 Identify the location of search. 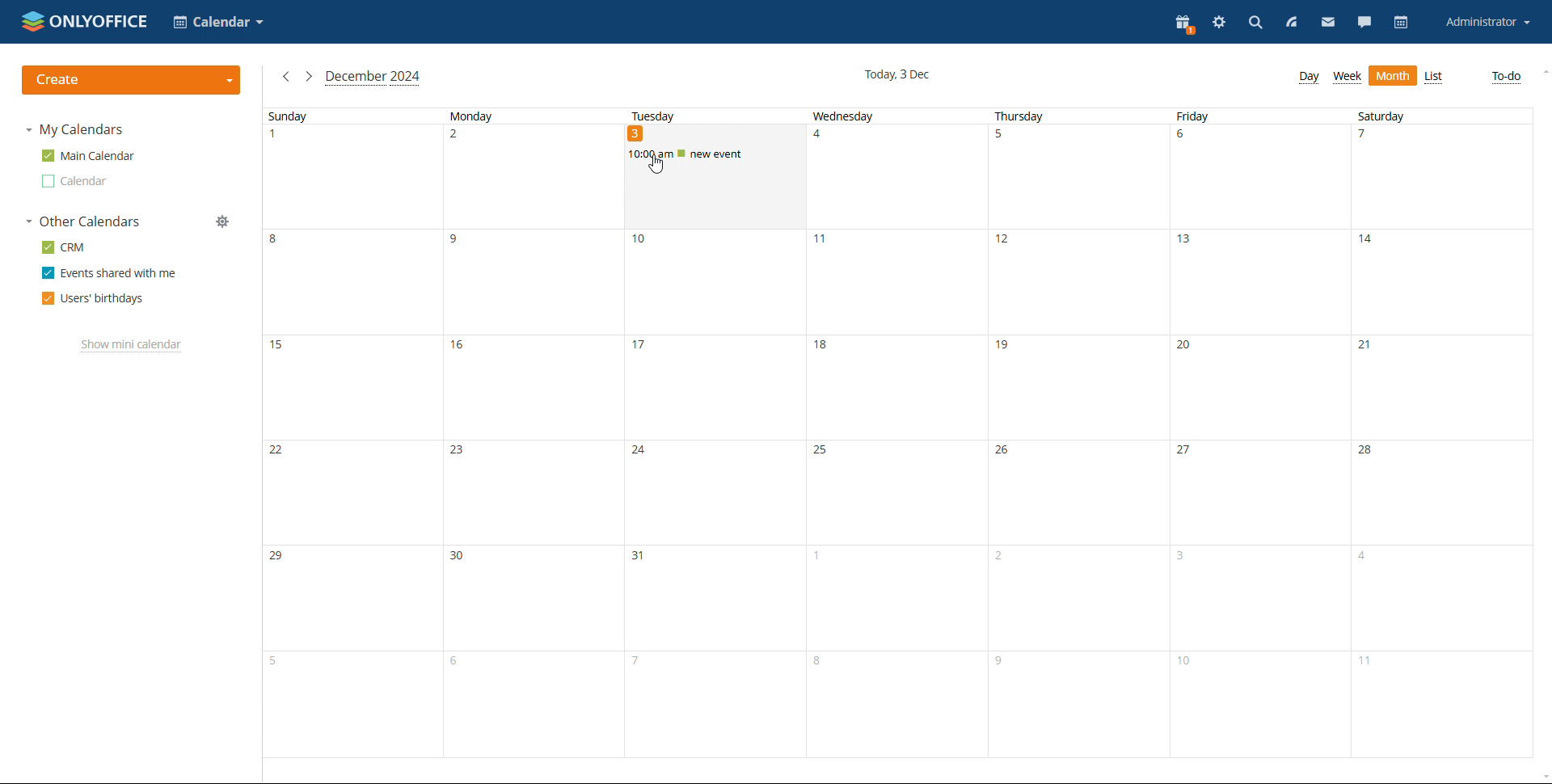
(1255, 23).